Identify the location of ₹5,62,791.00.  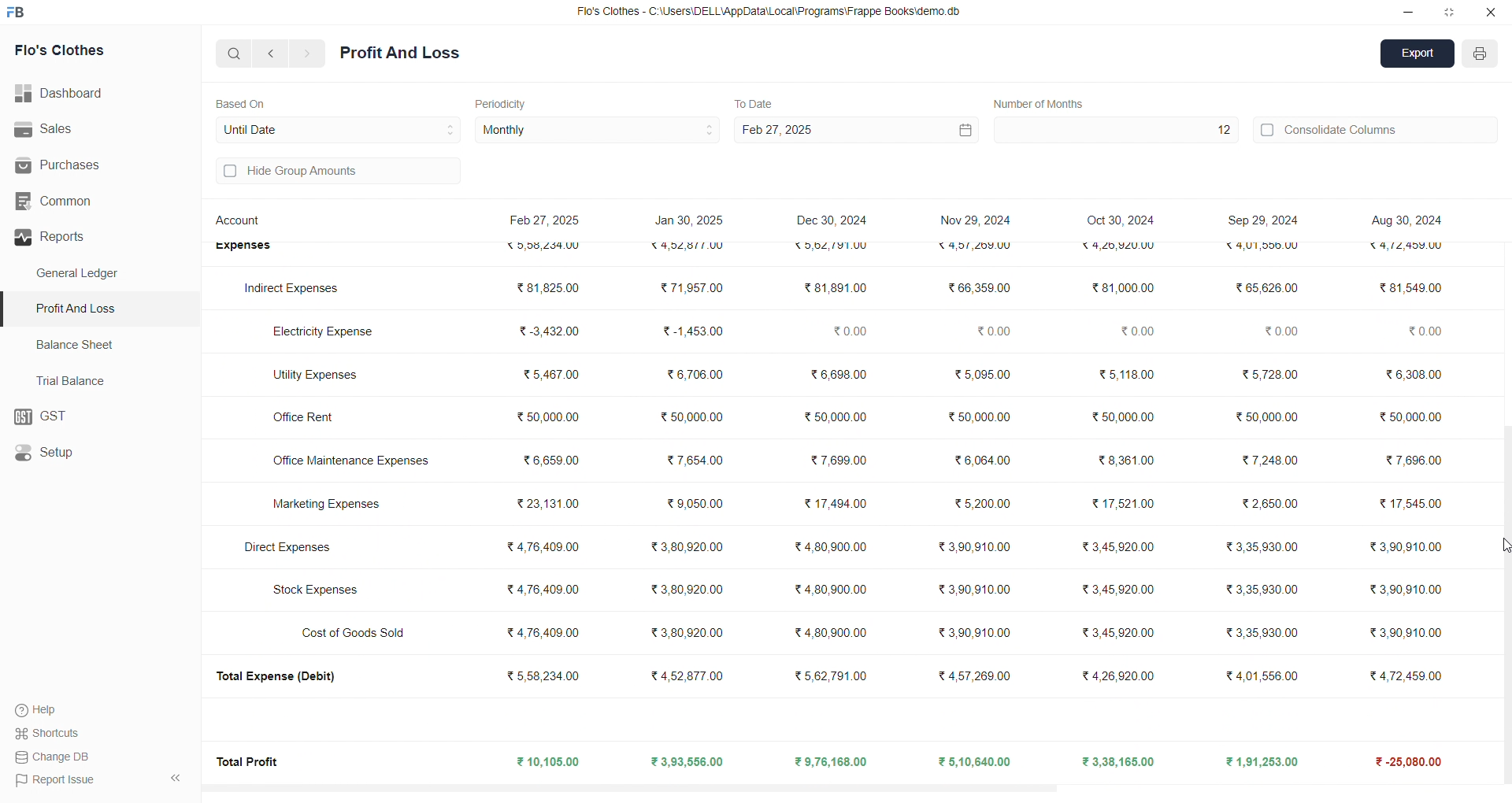
(832, 675).